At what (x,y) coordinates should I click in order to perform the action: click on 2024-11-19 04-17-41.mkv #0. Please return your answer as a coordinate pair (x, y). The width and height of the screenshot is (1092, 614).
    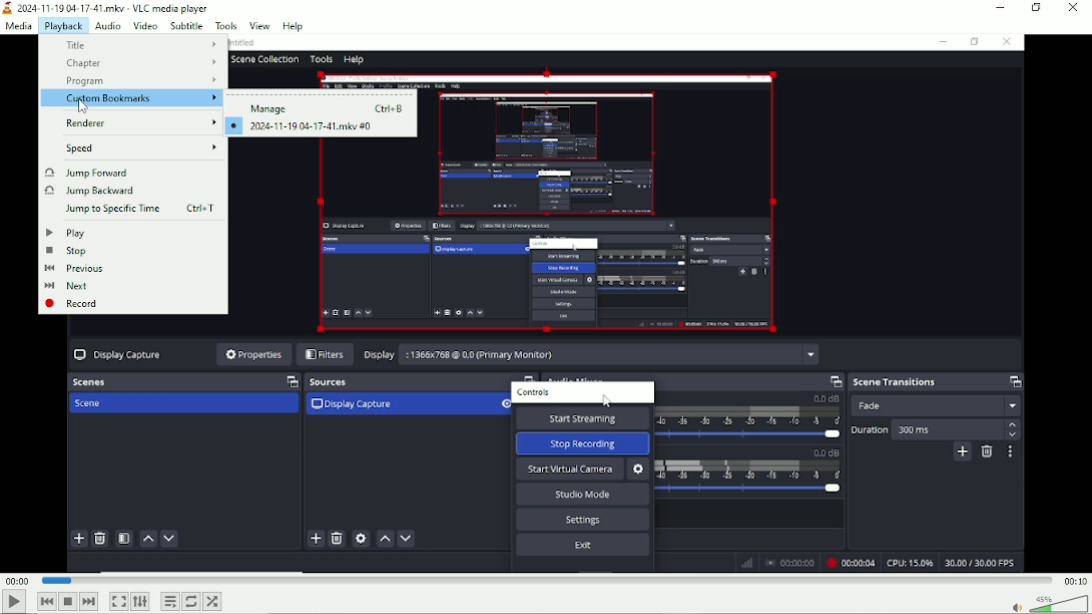
    Looking at the image, I should click on (302, 127).